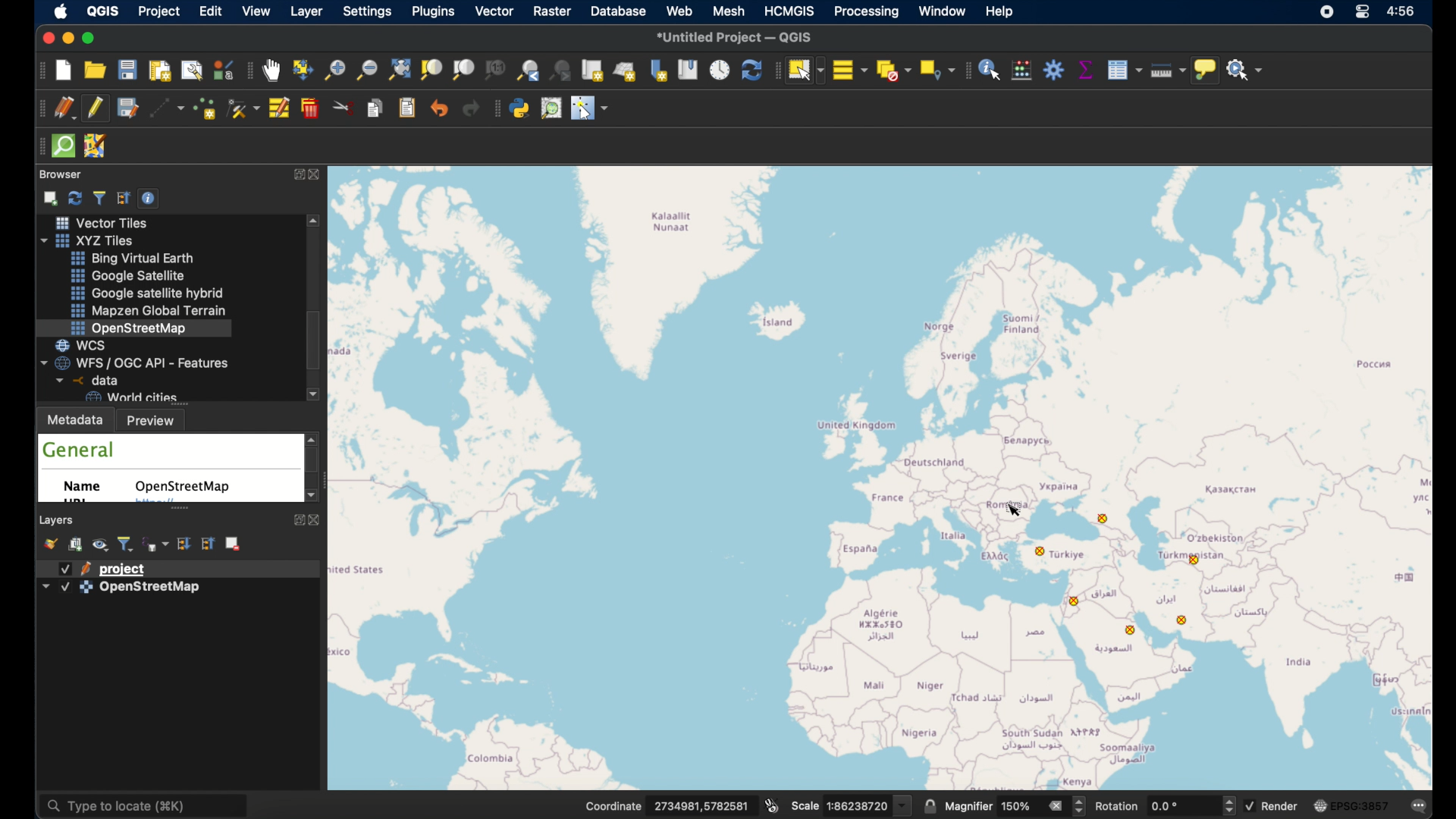 Image resolution: width=1456 pixels, height=819 pixels. What do you see at coordinates (127, 544) in the screenshot?
I see `filter legend` at bounding box center [127, 544].